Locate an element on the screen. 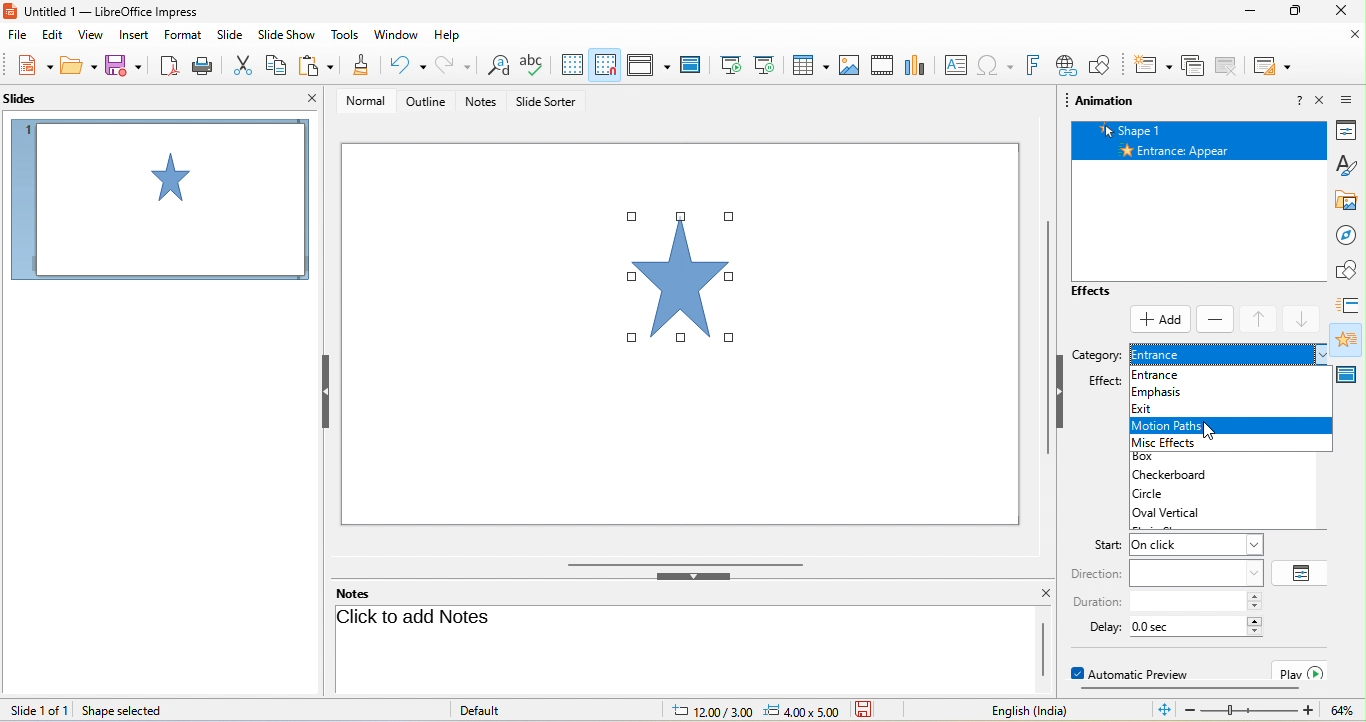 The width and height of the screenshot is (1366, 722). copy is located at coordinates (279, 65).